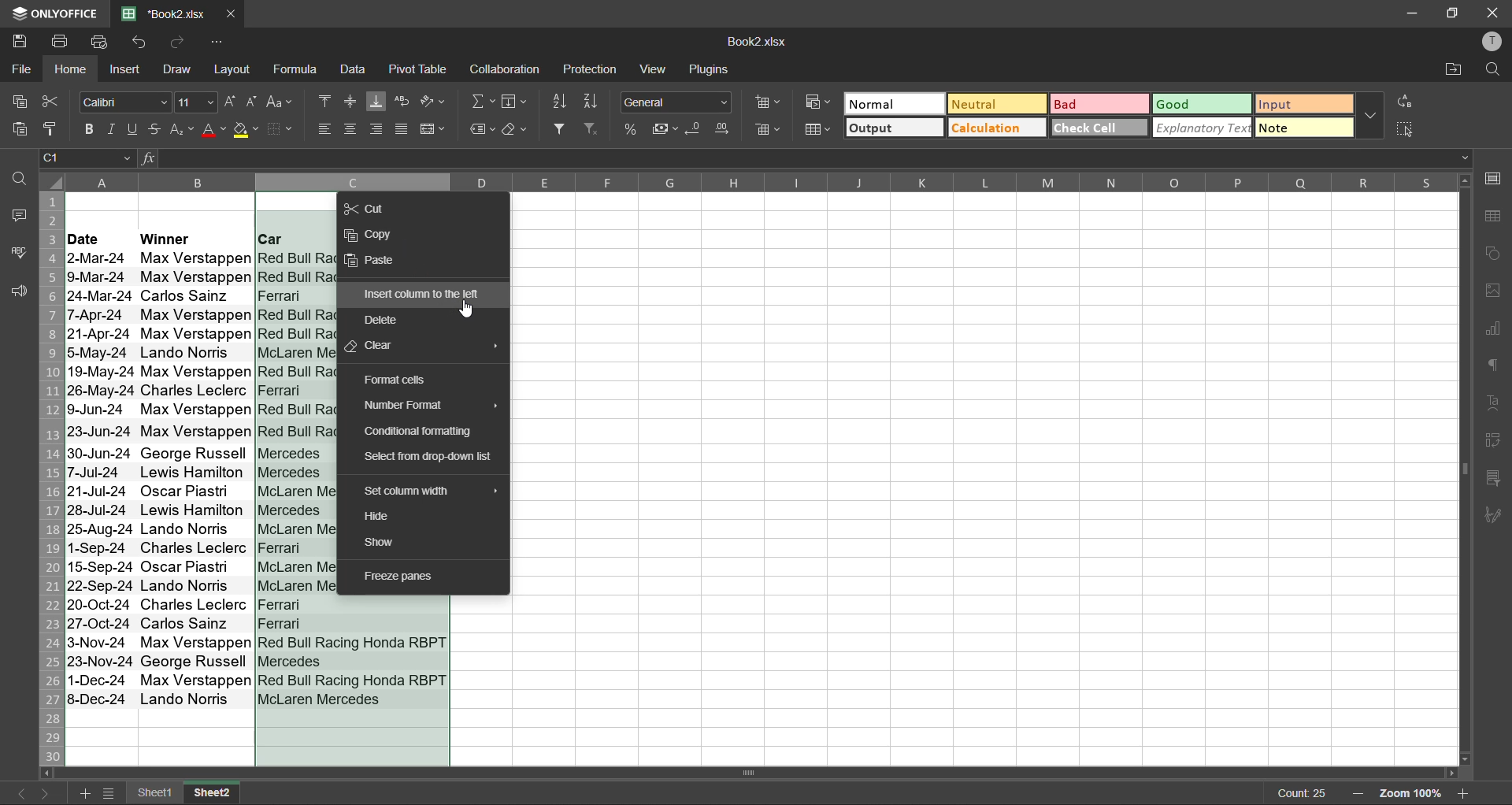 The image size is (1512, 805). Describe the element at coordinates (20, 182) in the screenshot. I see `find` at that location.